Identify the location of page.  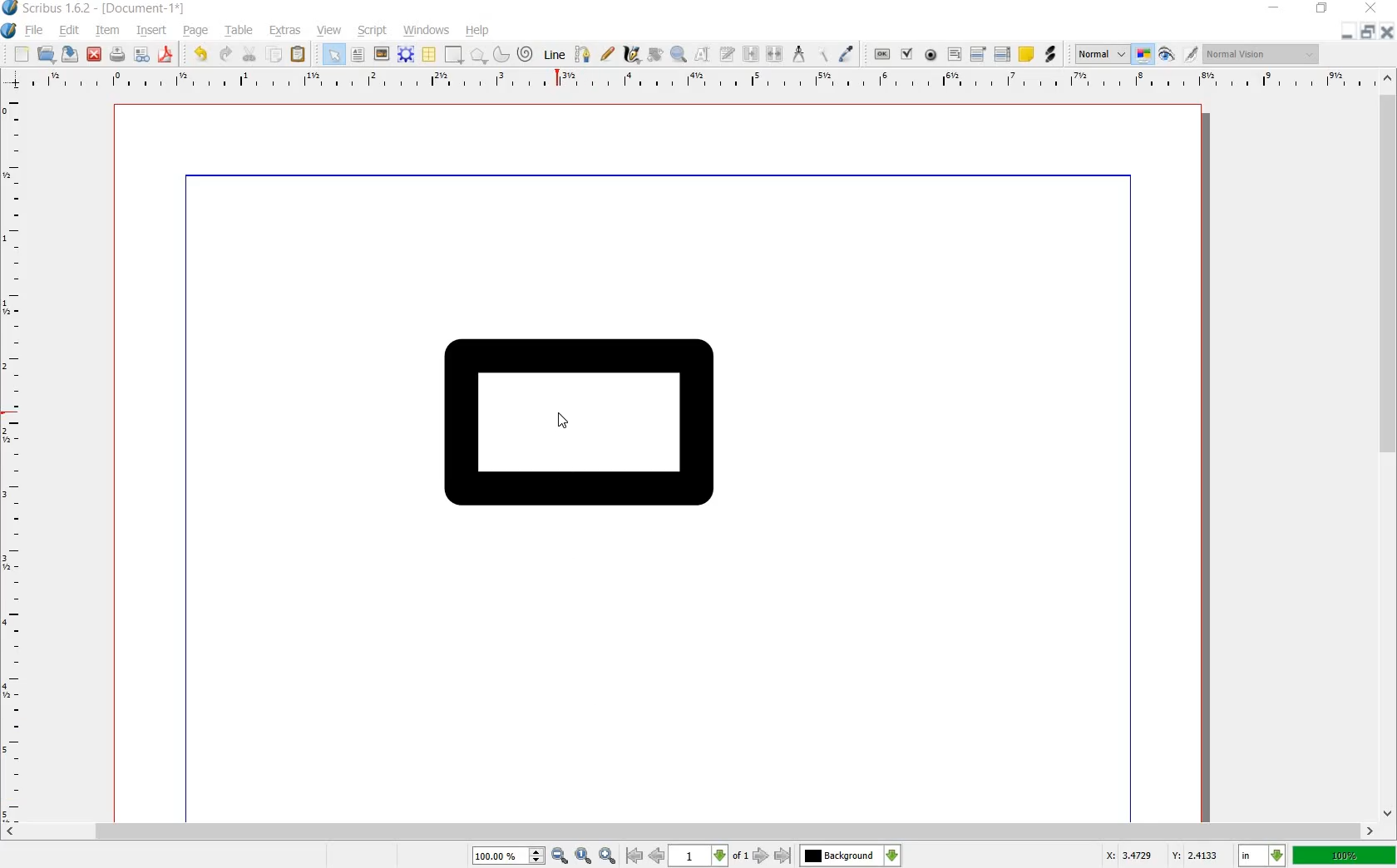
(195, 32).